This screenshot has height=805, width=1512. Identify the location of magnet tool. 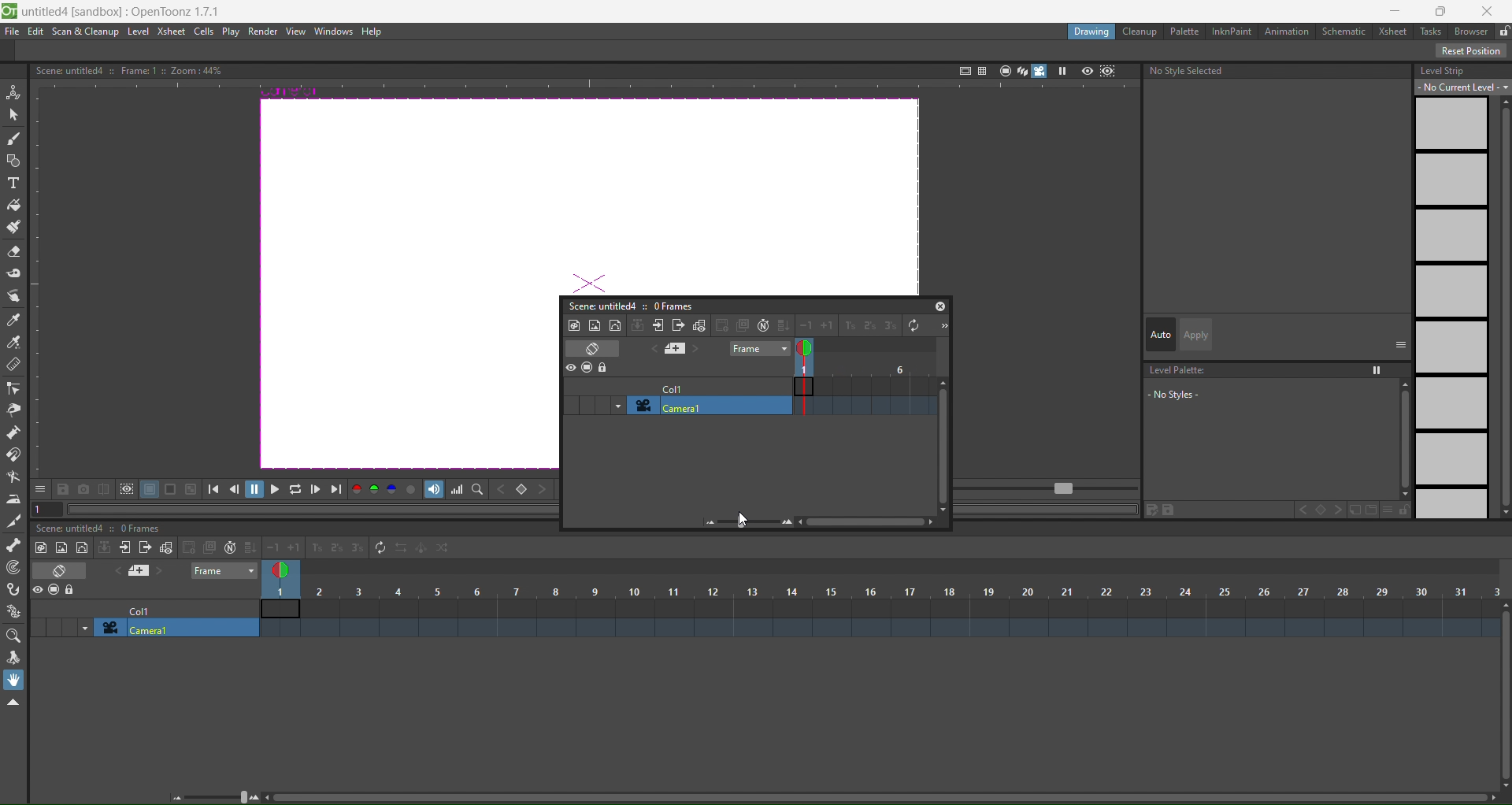
(13, 454).